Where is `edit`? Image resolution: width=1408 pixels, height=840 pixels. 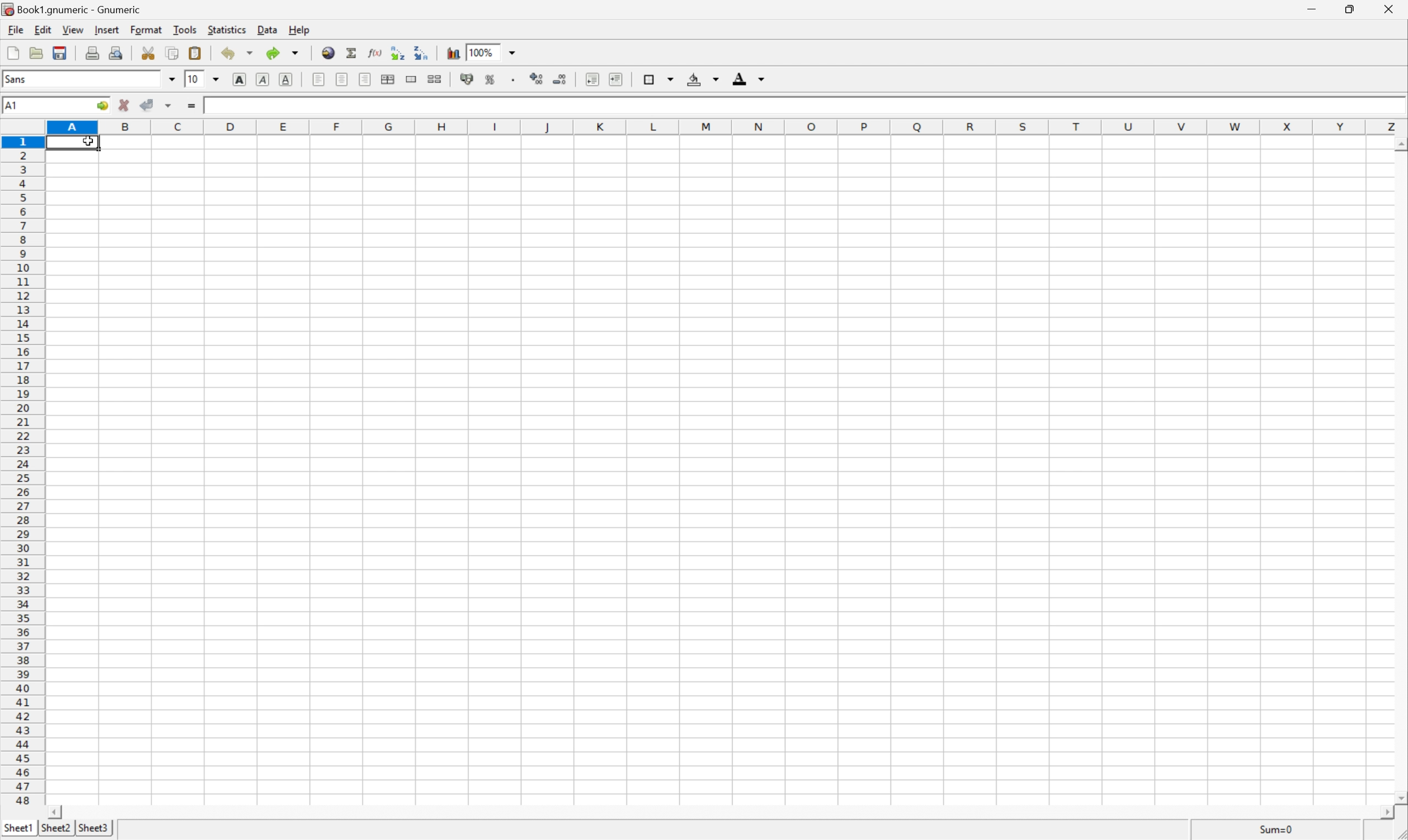 edit is located at coordinates (41, 29).